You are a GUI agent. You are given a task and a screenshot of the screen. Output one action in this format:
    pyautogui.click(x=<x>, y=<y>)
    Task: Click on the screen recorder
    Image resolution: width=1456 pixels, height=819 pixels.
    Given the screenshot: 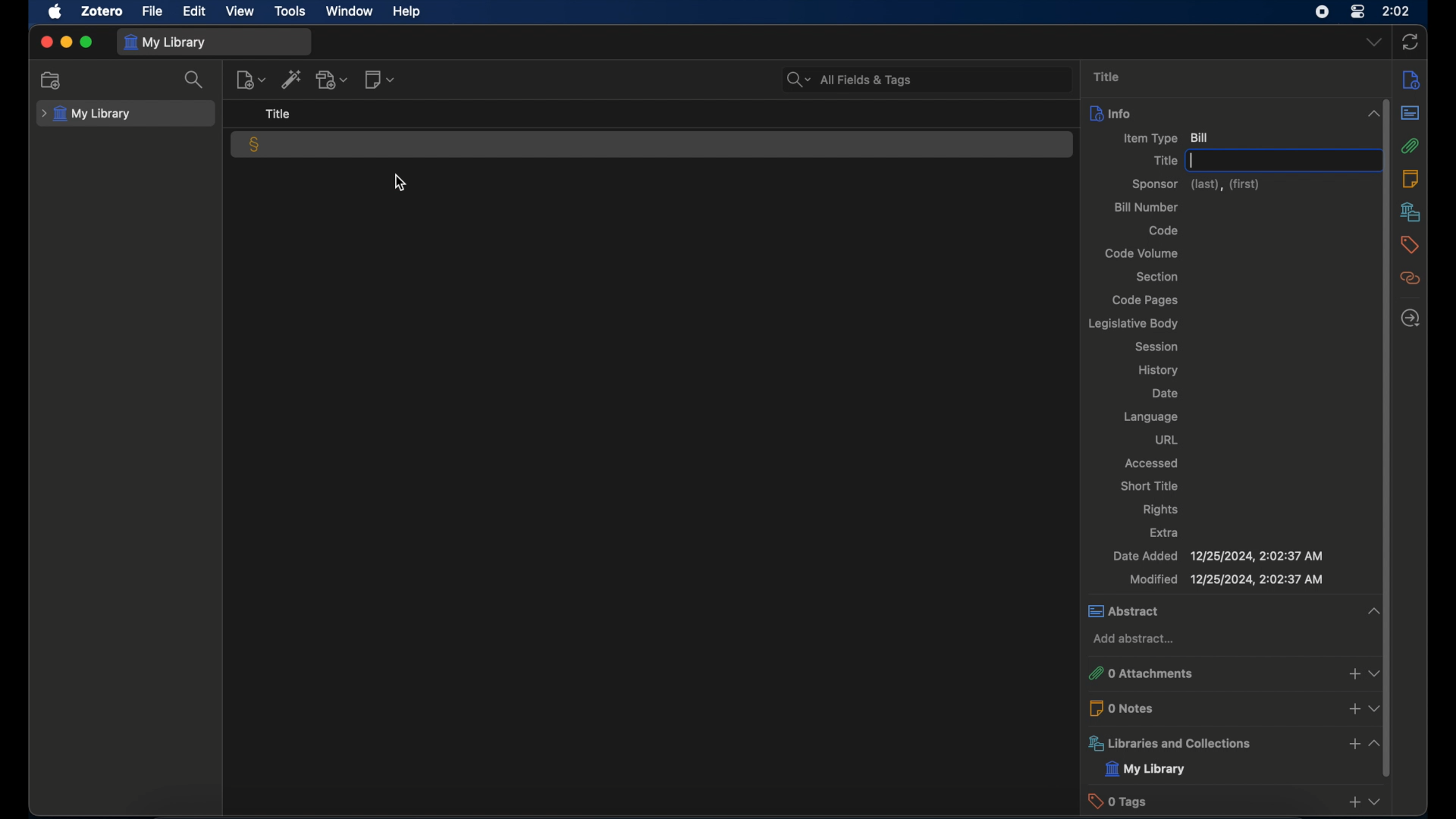 What is the action you would take?
    pyautogui.click(x=1321, y=11)
    